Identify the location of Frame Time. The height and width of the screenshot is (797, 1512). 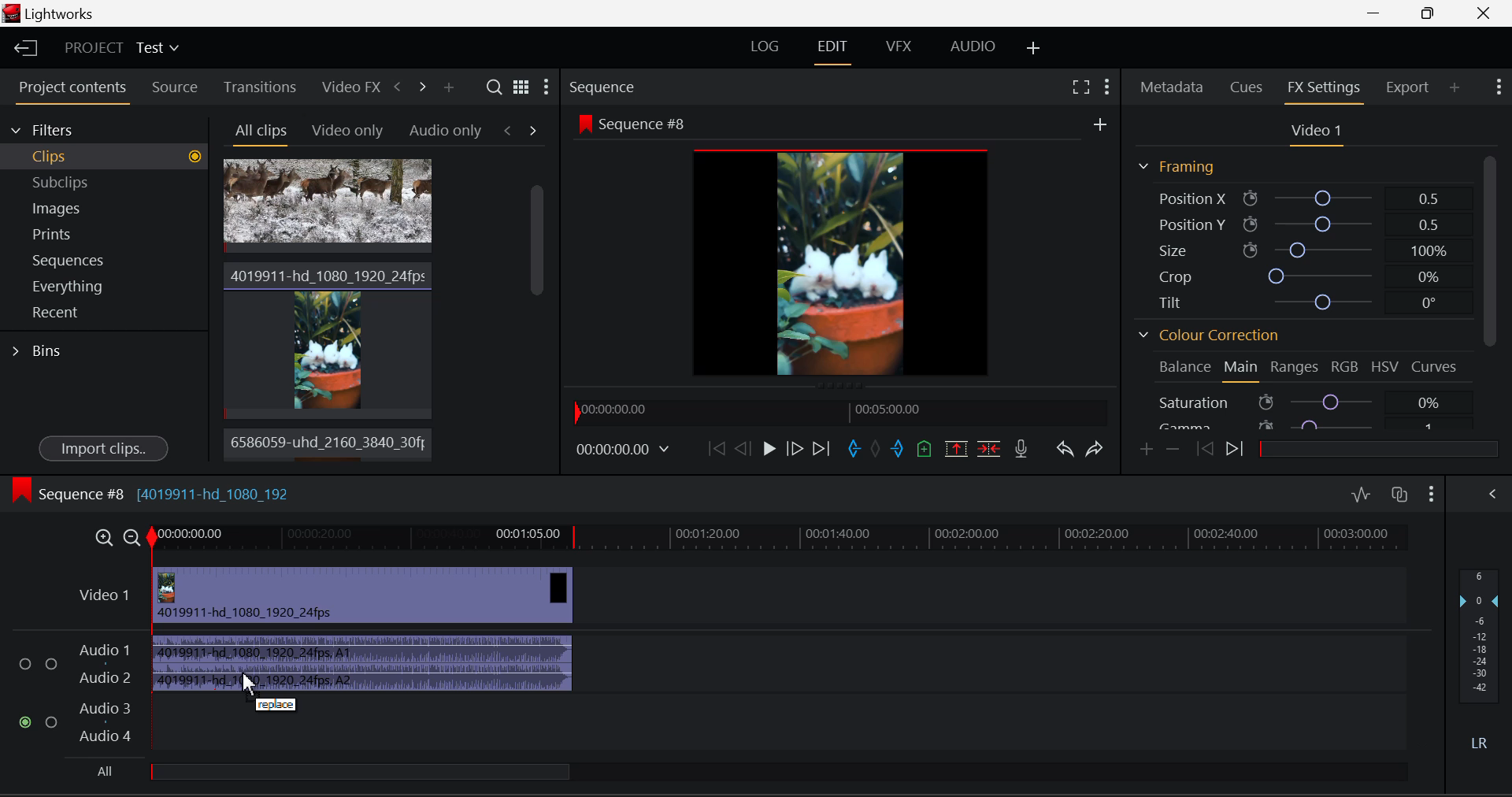
(629, 451).